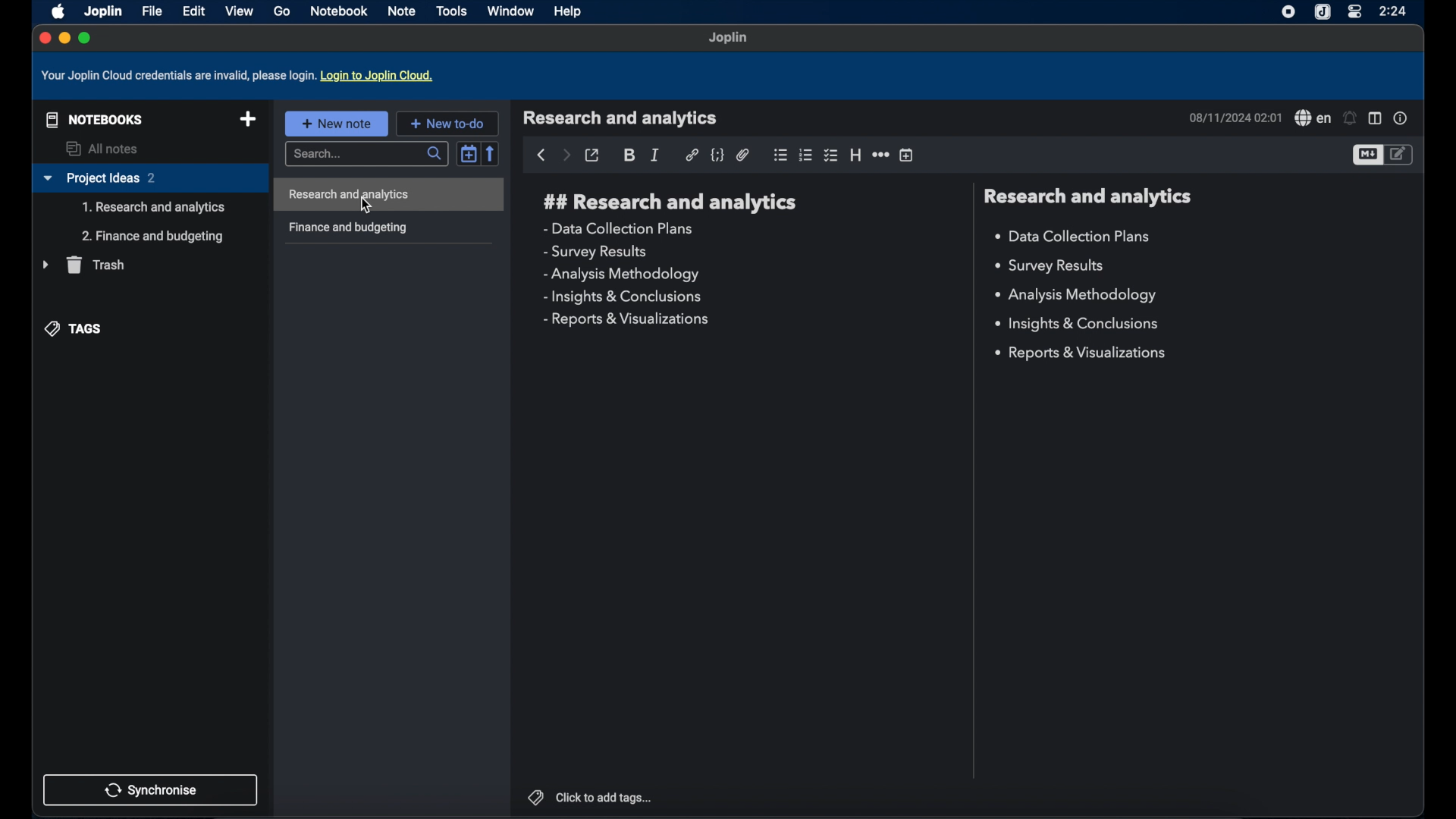 Image resolution: width=1456 pixels, height=819 pixels. I want to click on file, so click(152, 11).